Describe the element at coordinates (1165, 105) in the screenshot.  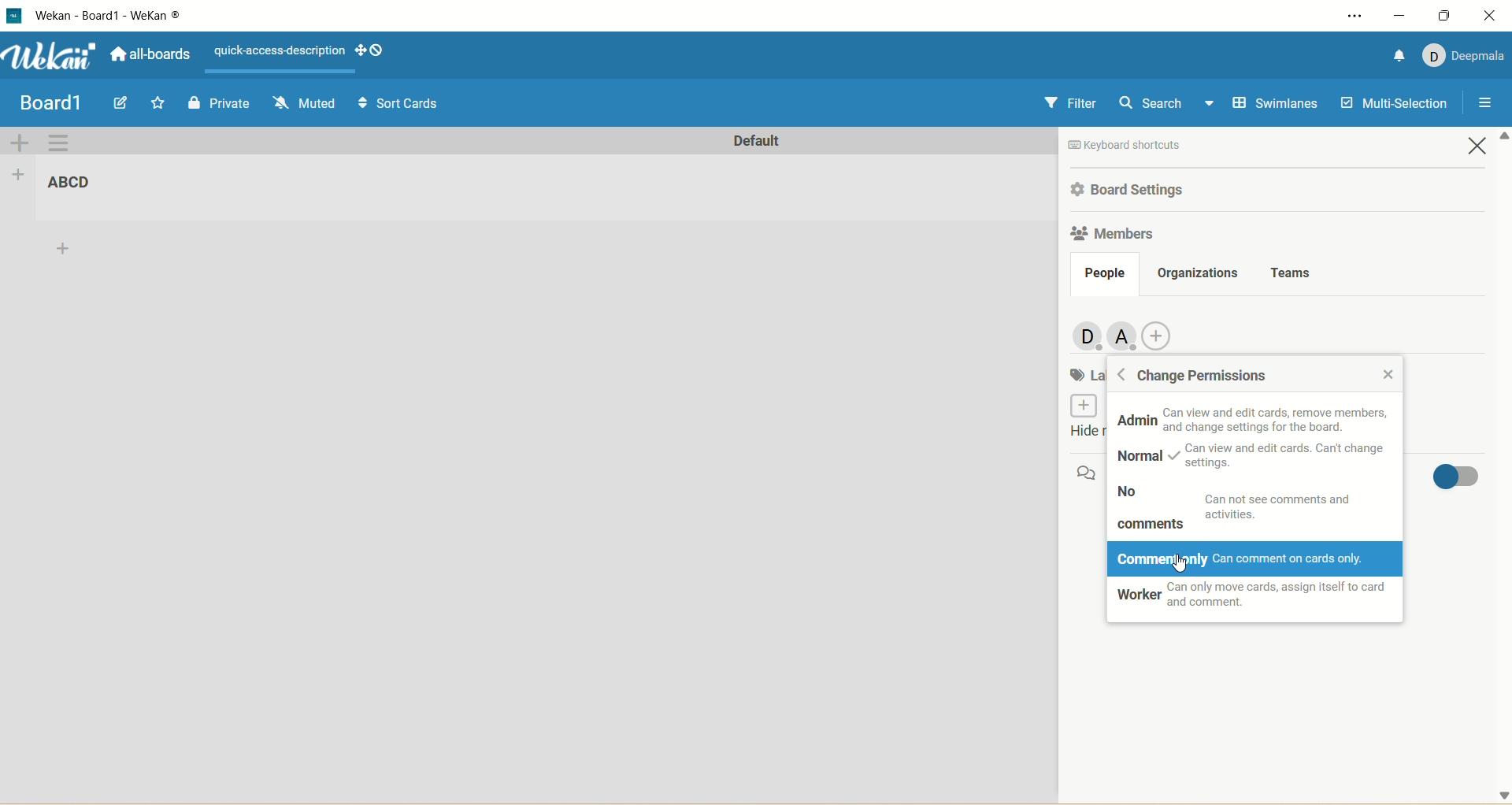
I see `search` at that location.